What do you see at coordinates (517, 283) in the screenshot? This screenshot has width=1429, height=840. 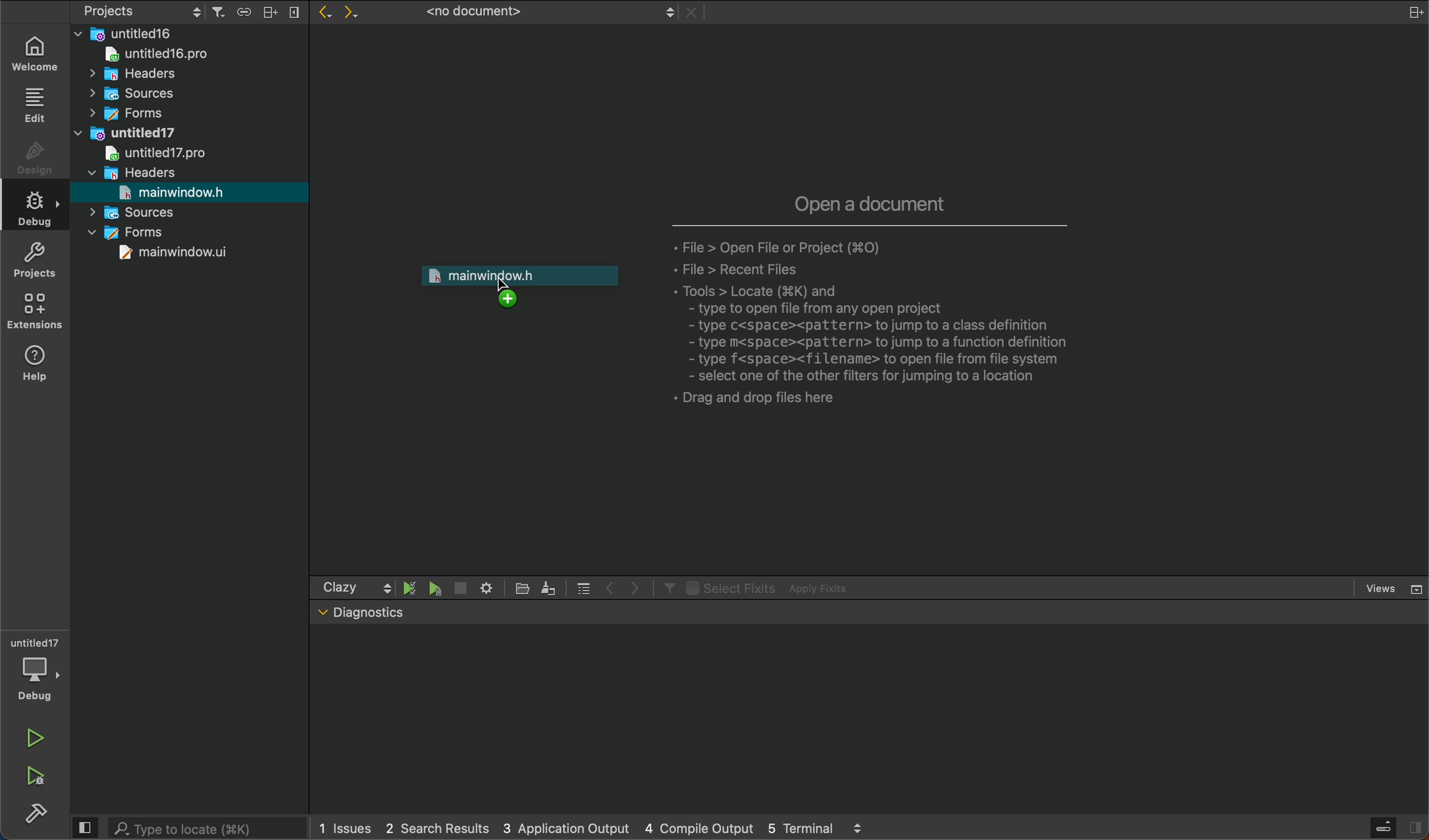 I see `mainwindow.h` at bounding box center [517, 283].